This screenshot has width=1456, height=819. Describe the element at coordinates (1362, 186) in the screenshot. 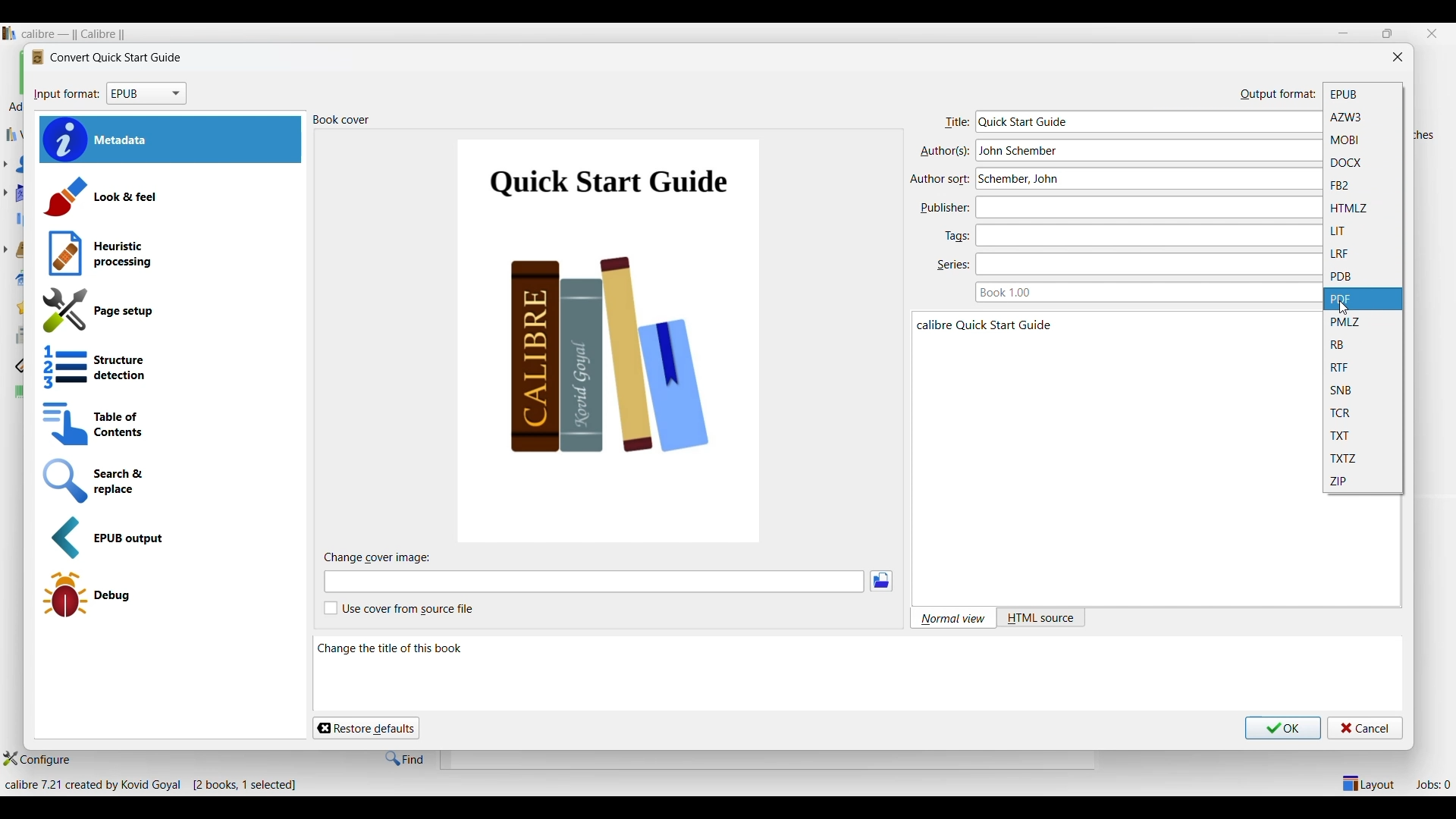

I see `FB2` at that location.